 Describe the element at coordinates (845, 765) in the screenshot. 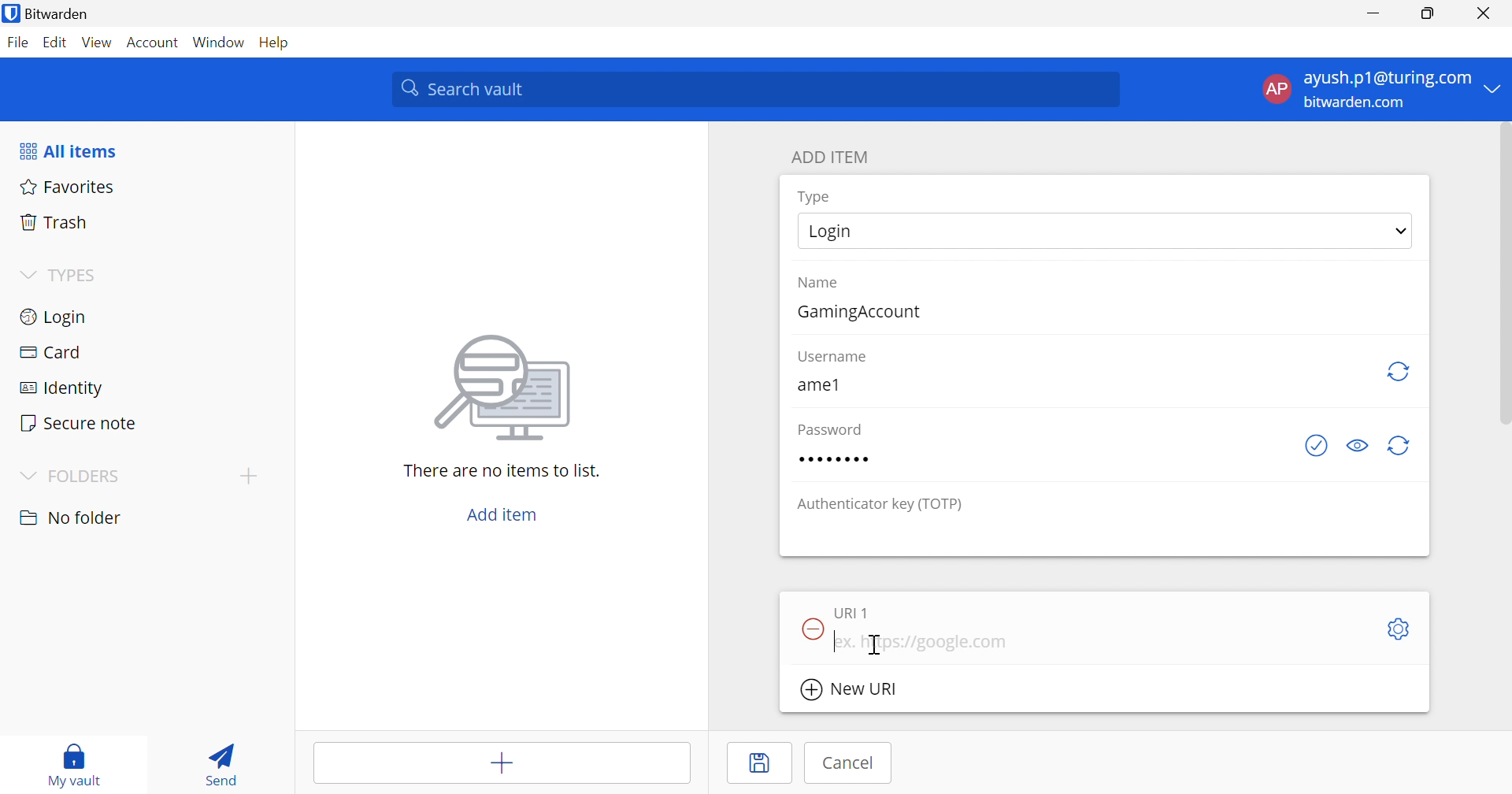

I see `Cancel` at that location.